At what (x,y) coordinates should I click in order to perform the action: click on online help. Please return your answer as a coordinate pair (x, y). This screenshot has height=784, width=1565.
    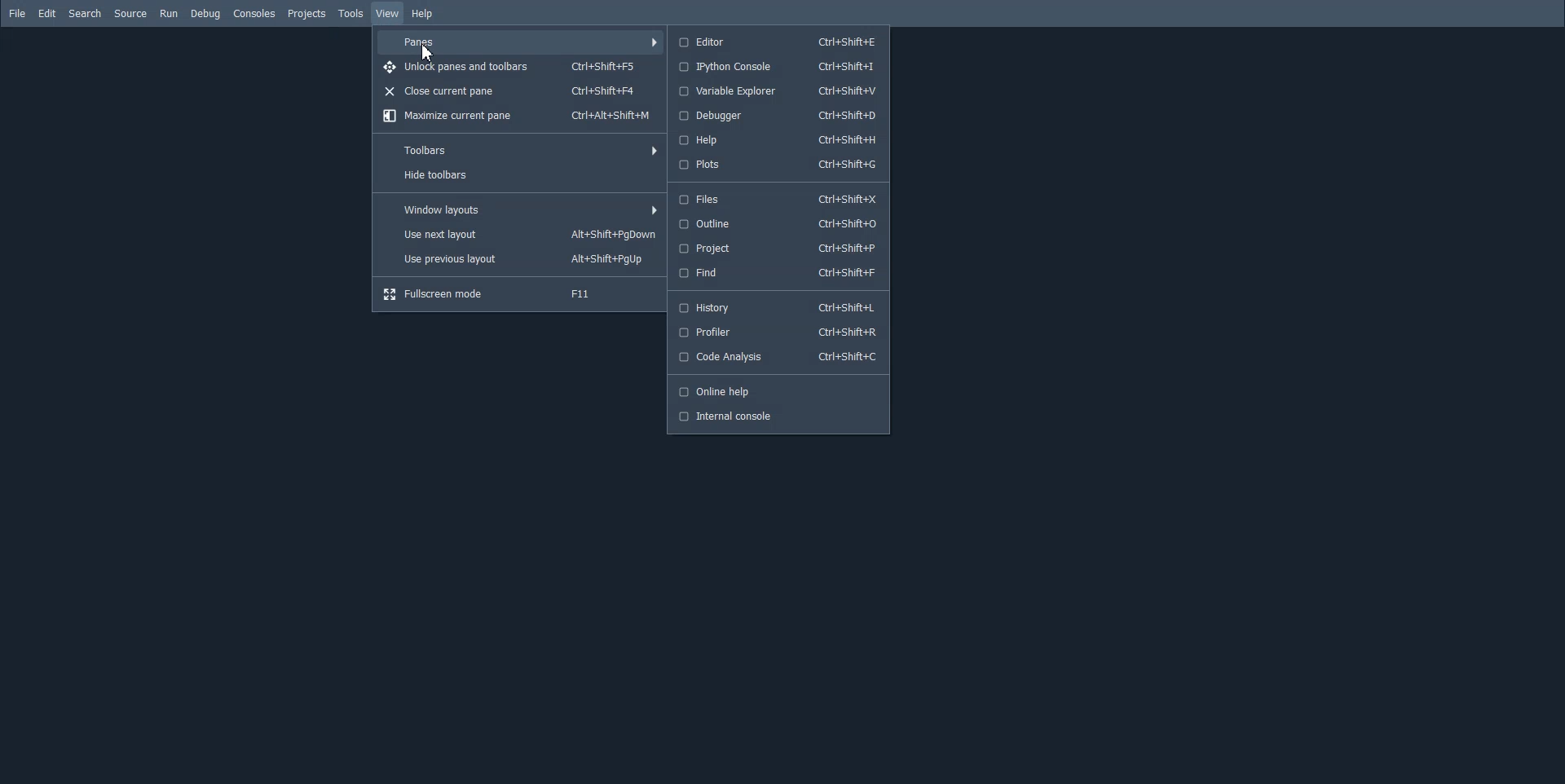
    Looking at the image, I should click on (774, 390).